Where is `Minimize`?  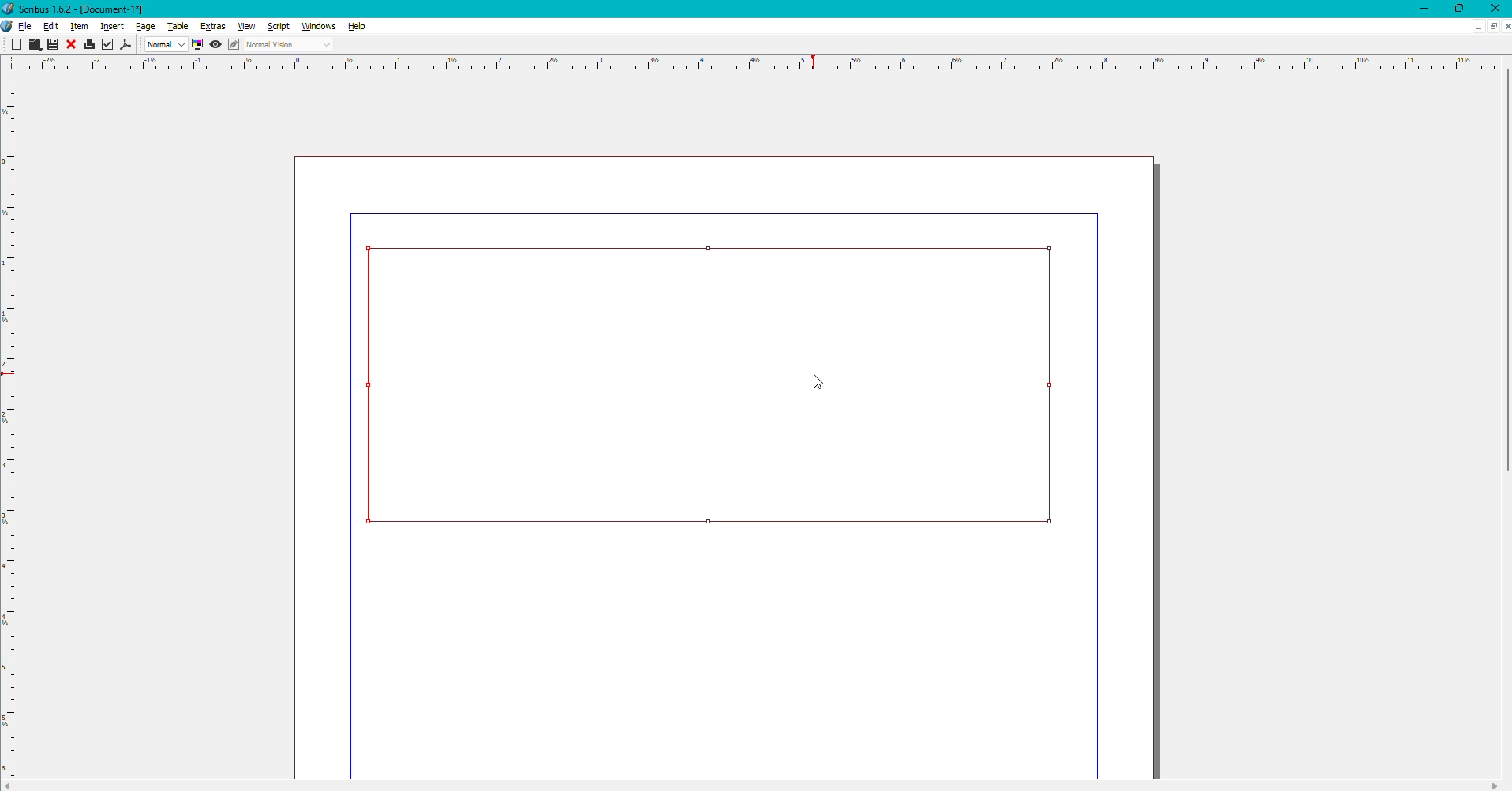 Minimize is located at coordinates (1419, 9).